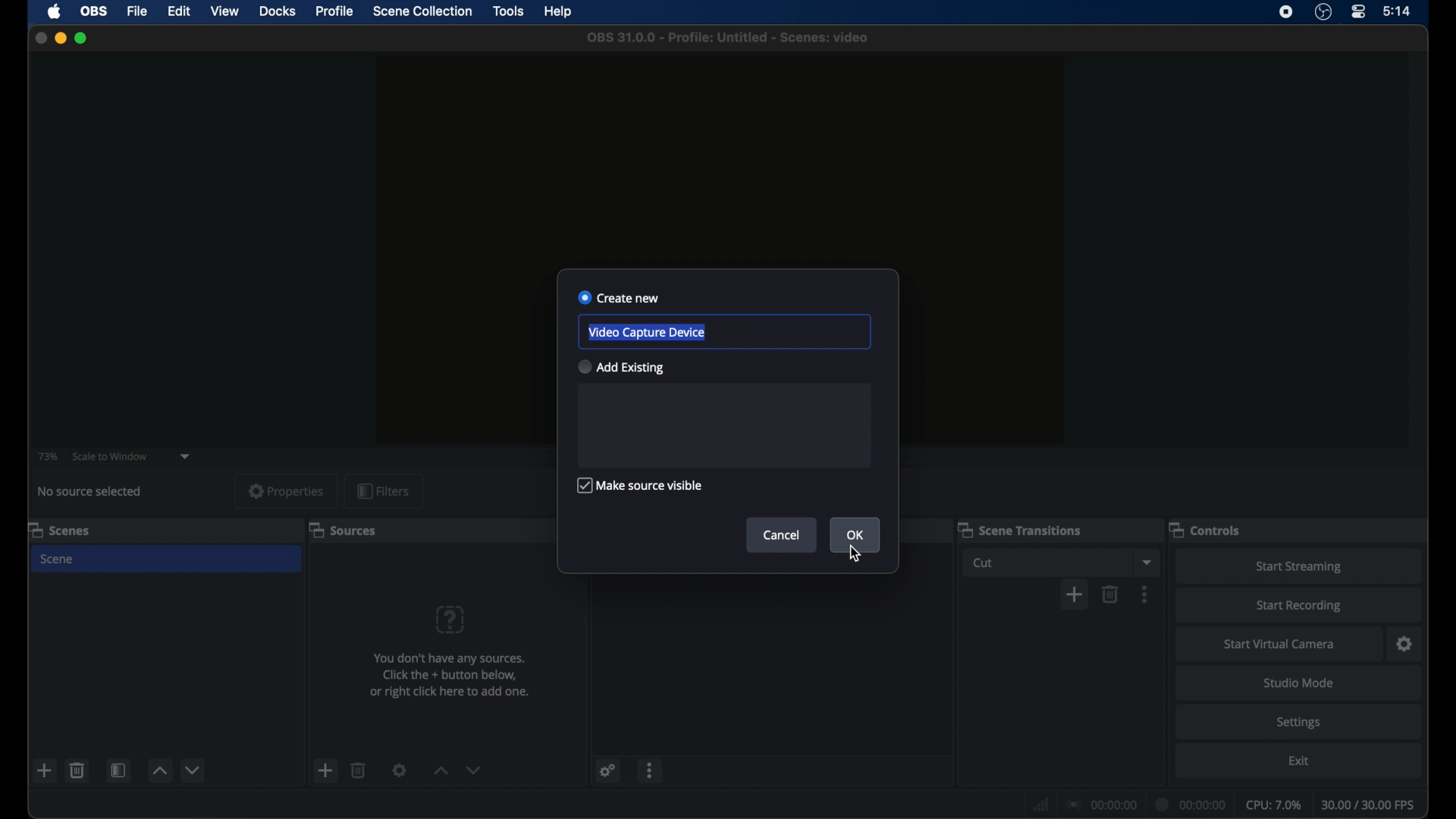 This screenshot has width=1456, height=819. Describe the element at coordinates (1300, 606) in the screenshot. I see `start recording` at that location.